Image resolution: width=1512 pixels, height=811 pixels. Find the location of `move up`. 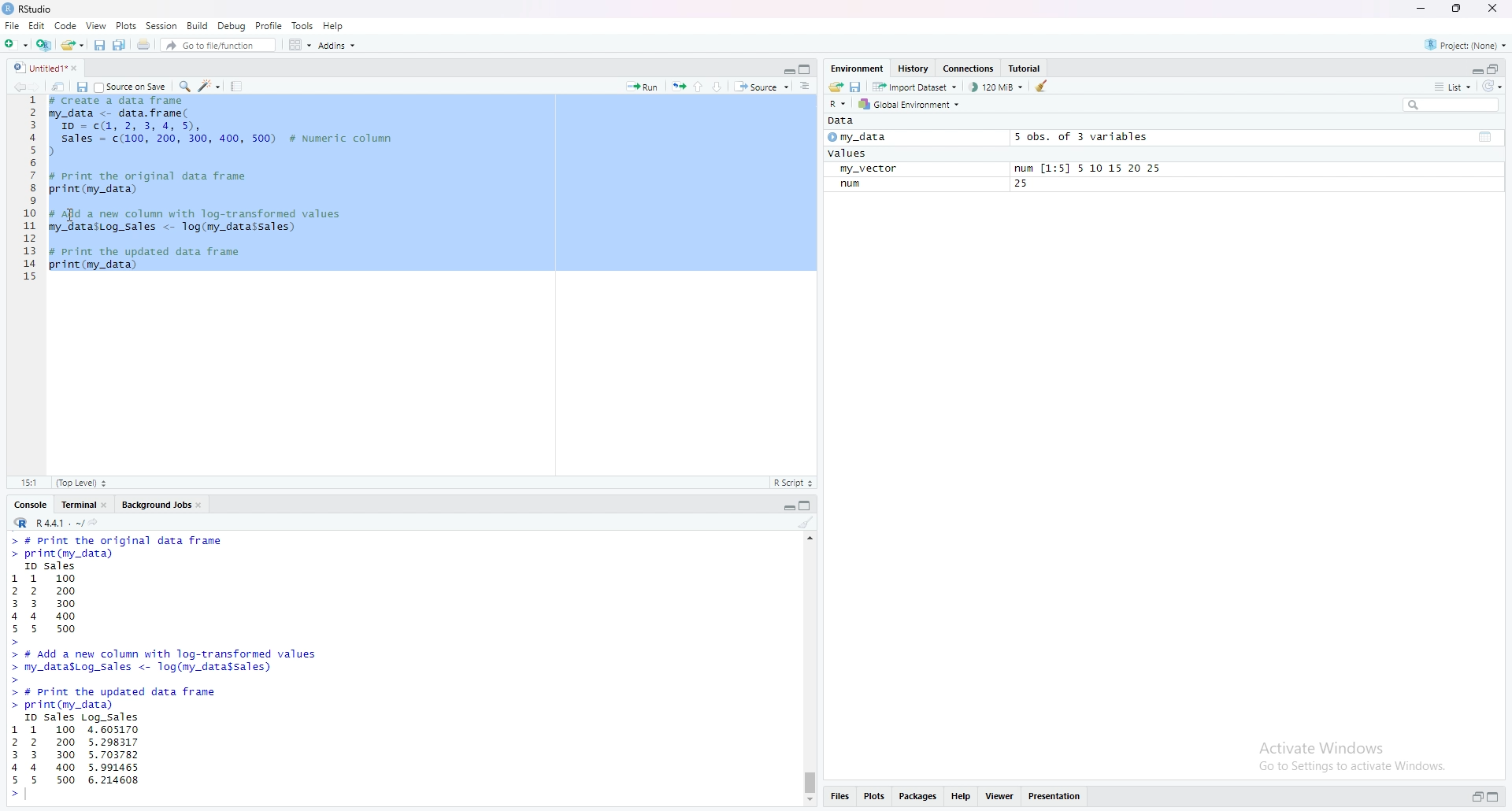

move up is located at coordinates (810, 543).